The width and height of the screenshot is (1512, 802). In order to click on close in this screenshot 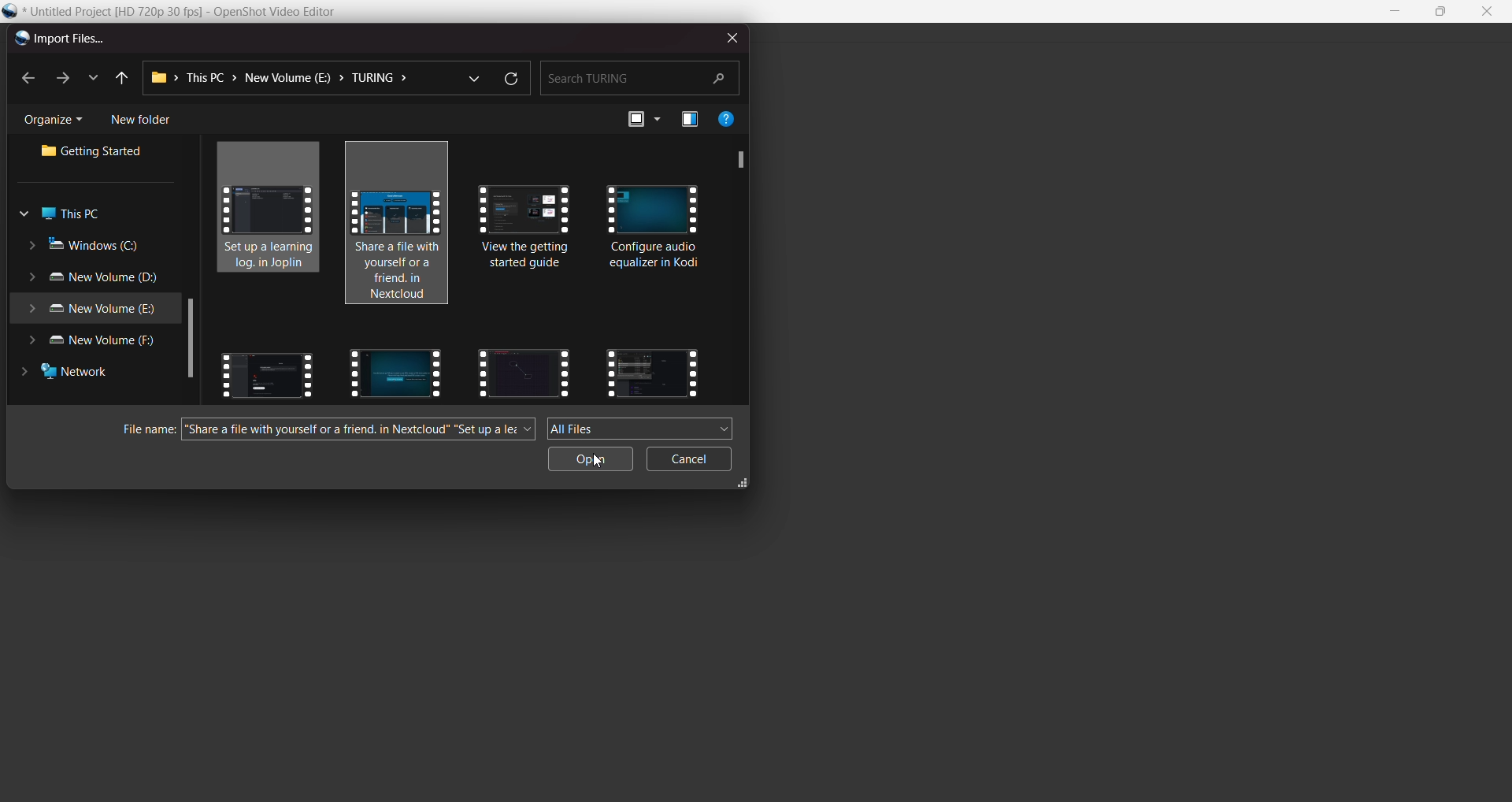, I will do `click(1486, 12)`.